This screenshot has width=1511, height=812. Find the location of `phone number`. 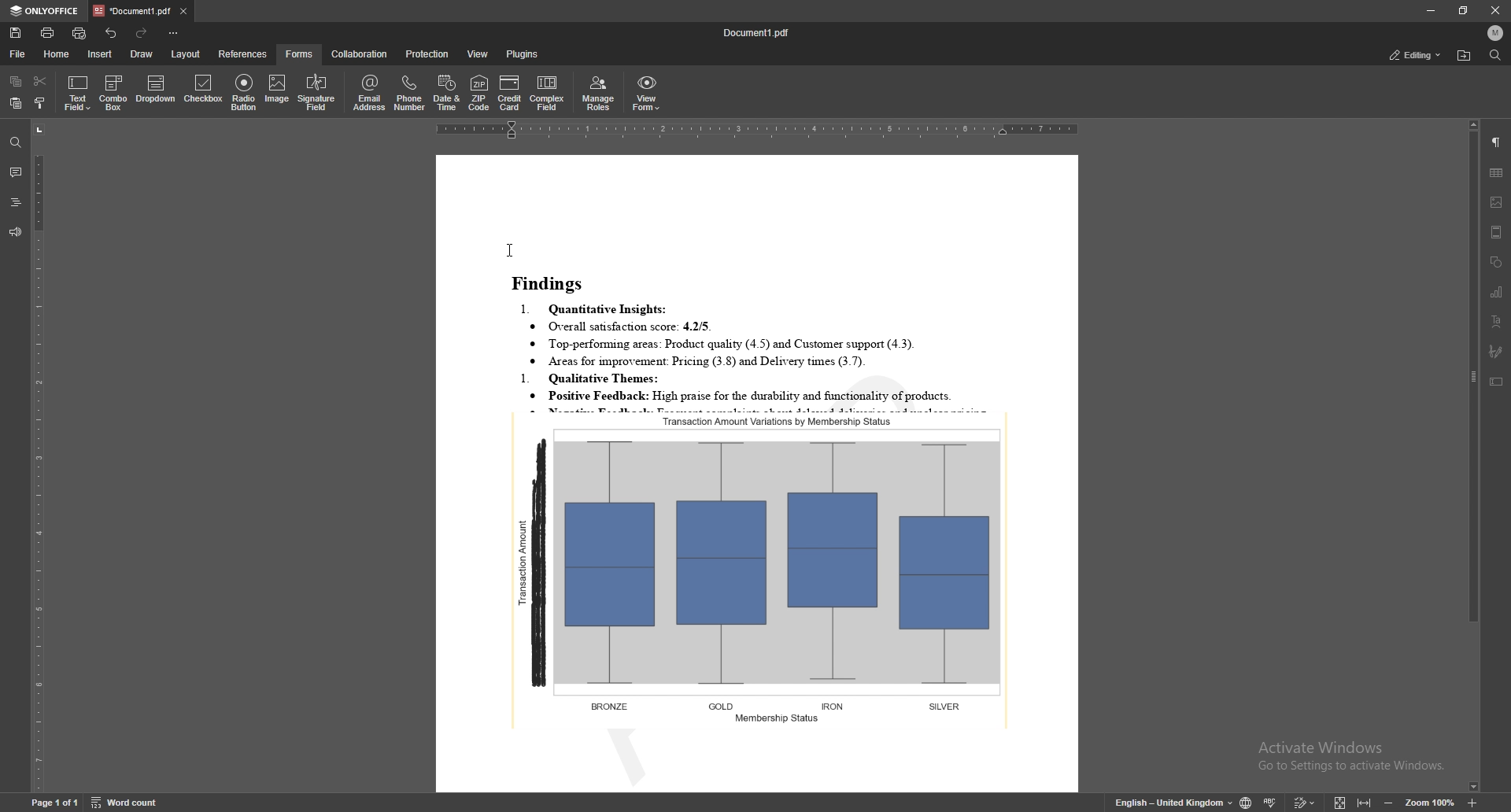

phone number is located at coordinates (410, 93).